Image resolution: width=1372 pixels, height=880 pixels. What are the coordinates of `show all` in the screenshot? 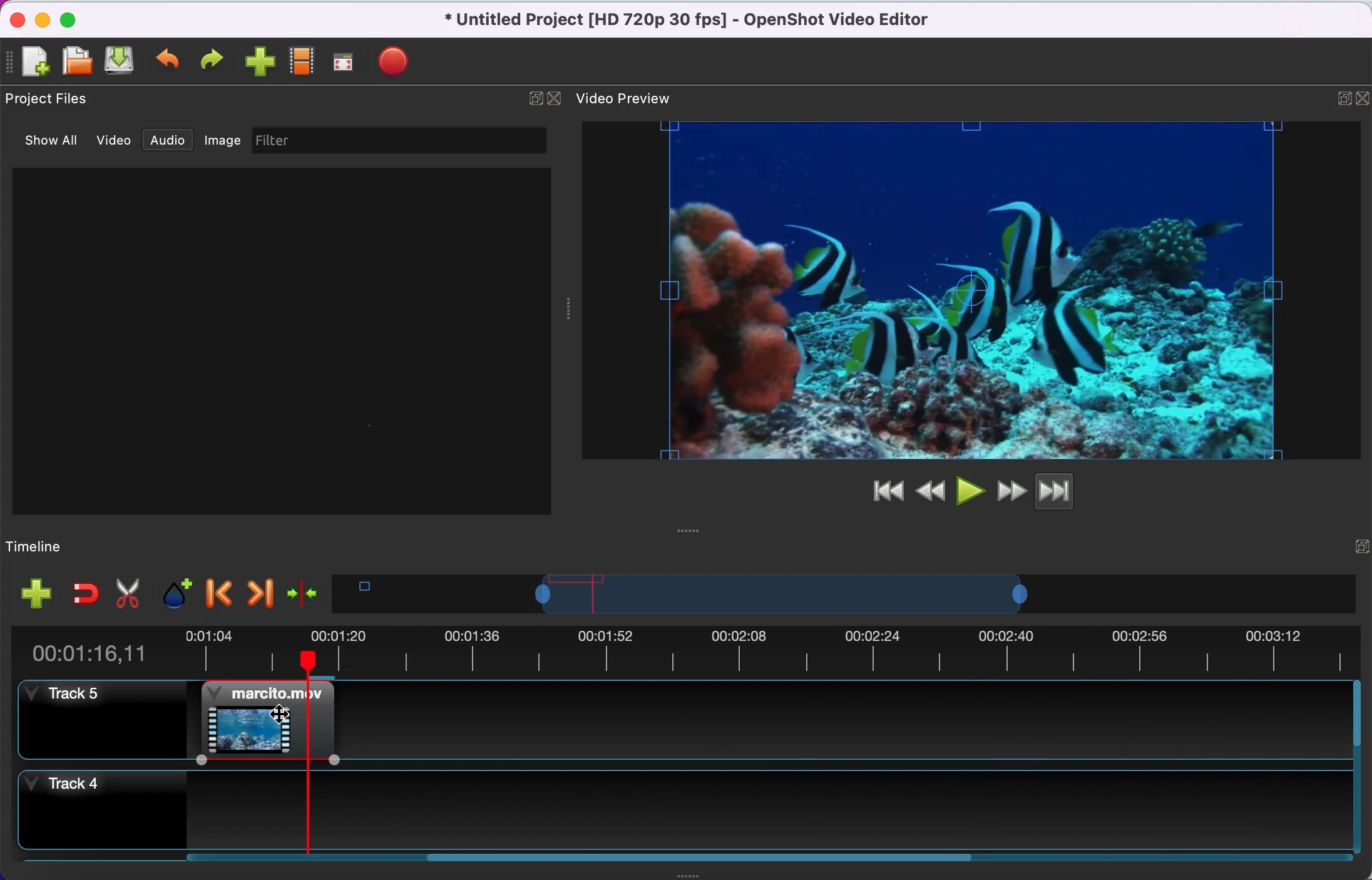 It's located at (42, 140).